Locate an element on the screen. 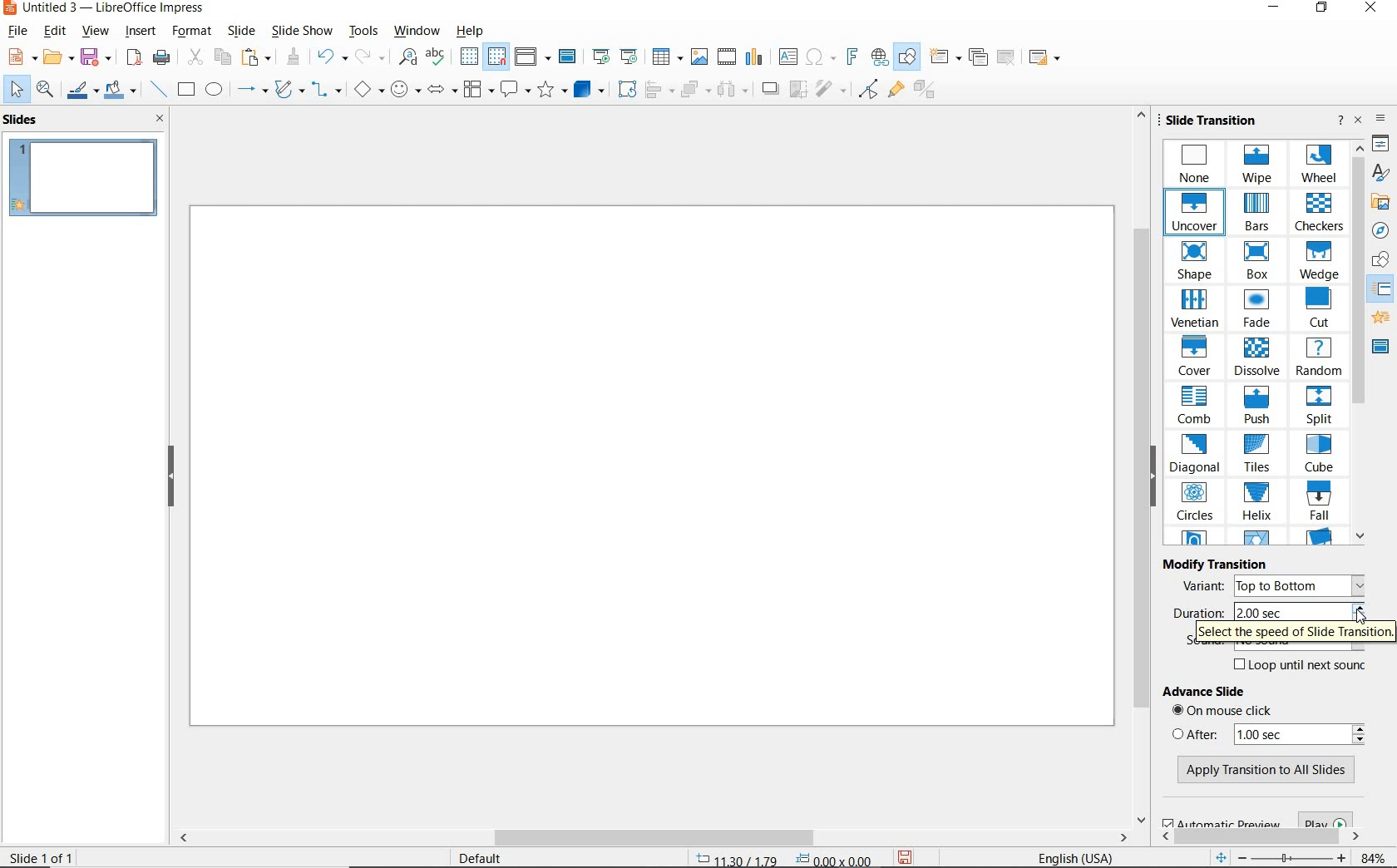 The height and width of the screenshot is (868, 1397). EXPORT DIRECTLY AS PDF is located at coordinates (136, 56).